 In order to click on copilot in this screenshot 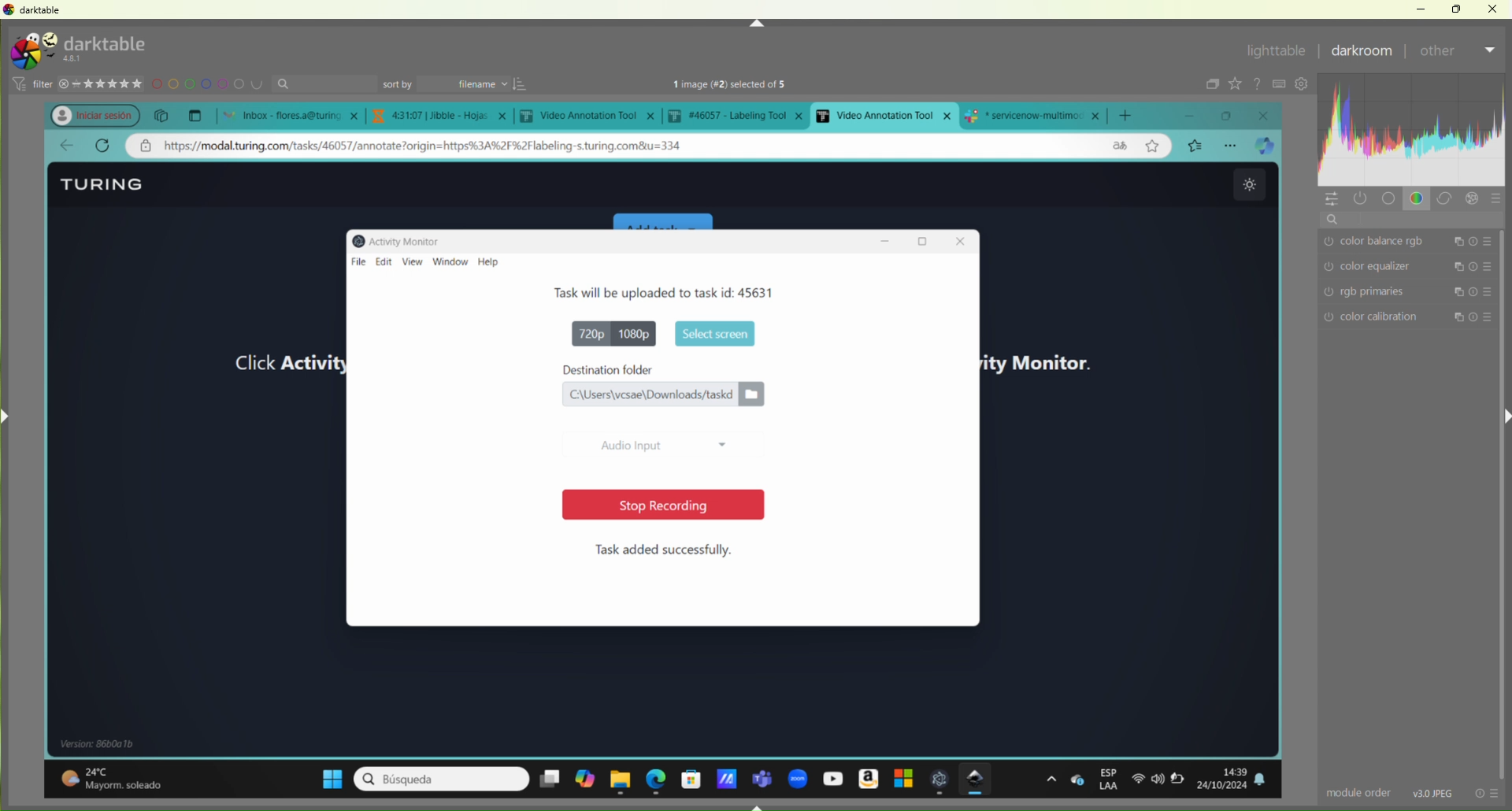, I will do `click(584, 781)`.